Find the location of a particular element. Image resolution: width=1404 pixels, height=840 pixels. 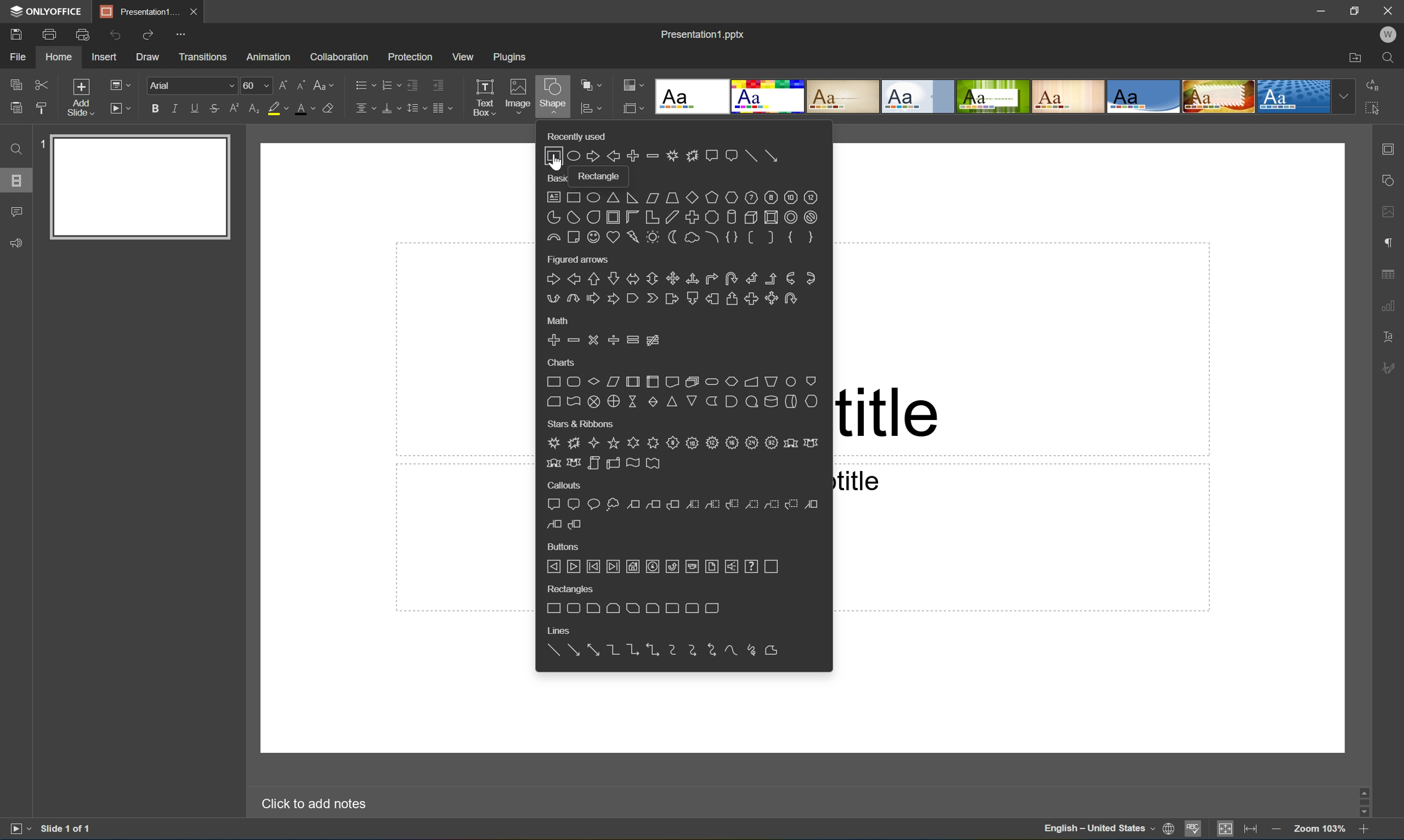

Print a file is located at coordinates (50, 34).